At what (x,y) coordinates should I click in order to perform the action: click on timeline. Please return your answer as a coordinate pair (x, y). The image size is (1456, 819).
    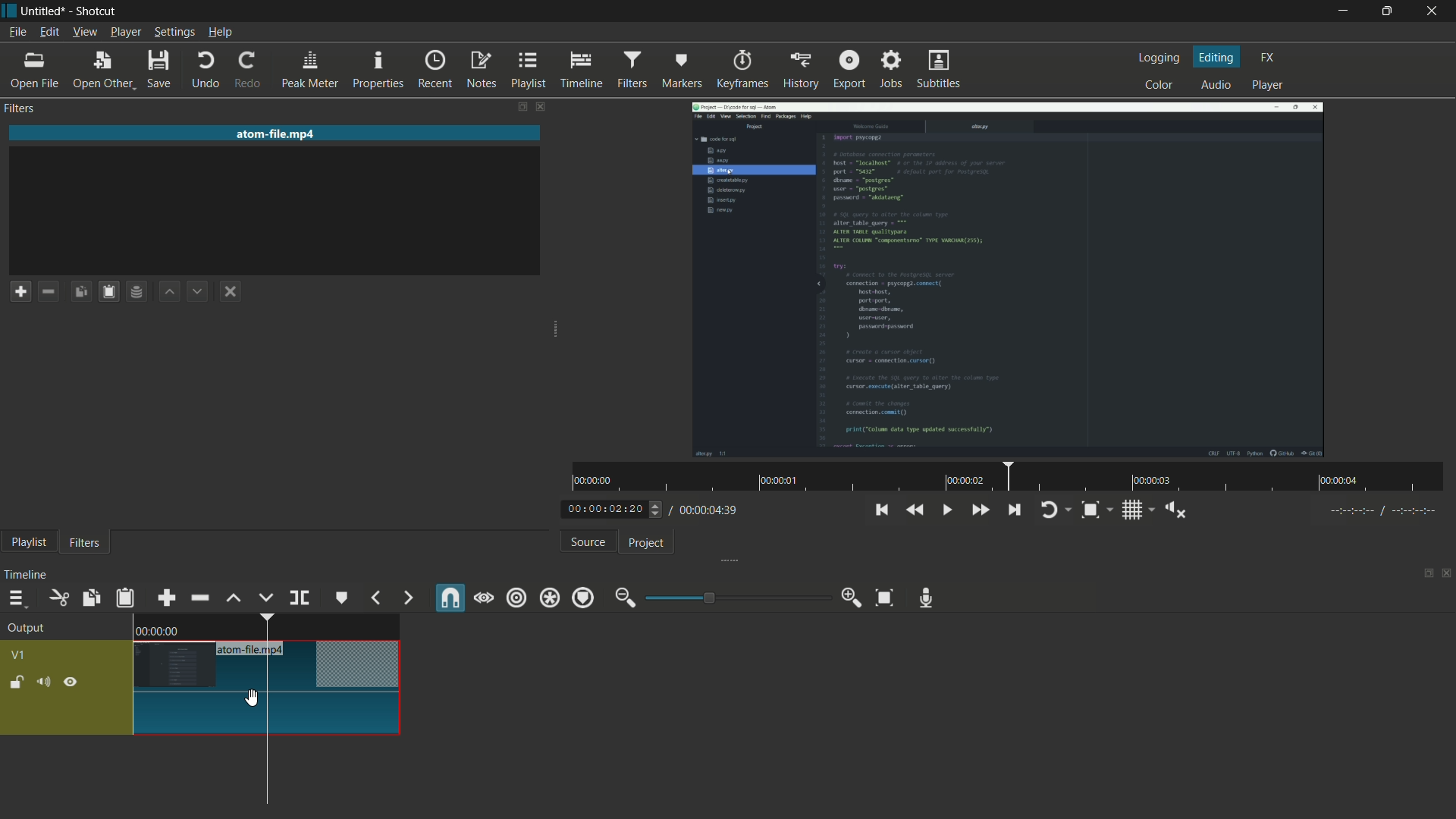
    Looking at the image, I should click on (579, 70).